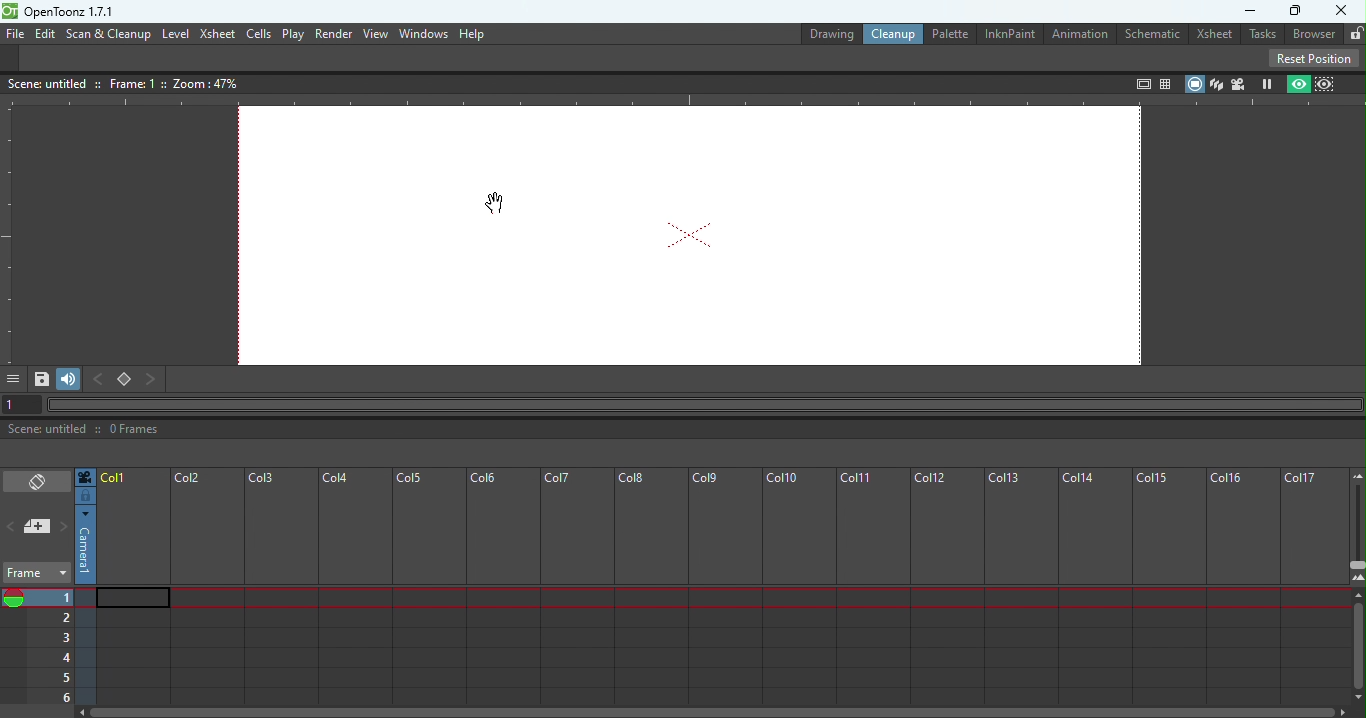  What do you see at coordinates (127, 82) in the screenshot?
I see `Canvas details` at bounding box center [127, 82].